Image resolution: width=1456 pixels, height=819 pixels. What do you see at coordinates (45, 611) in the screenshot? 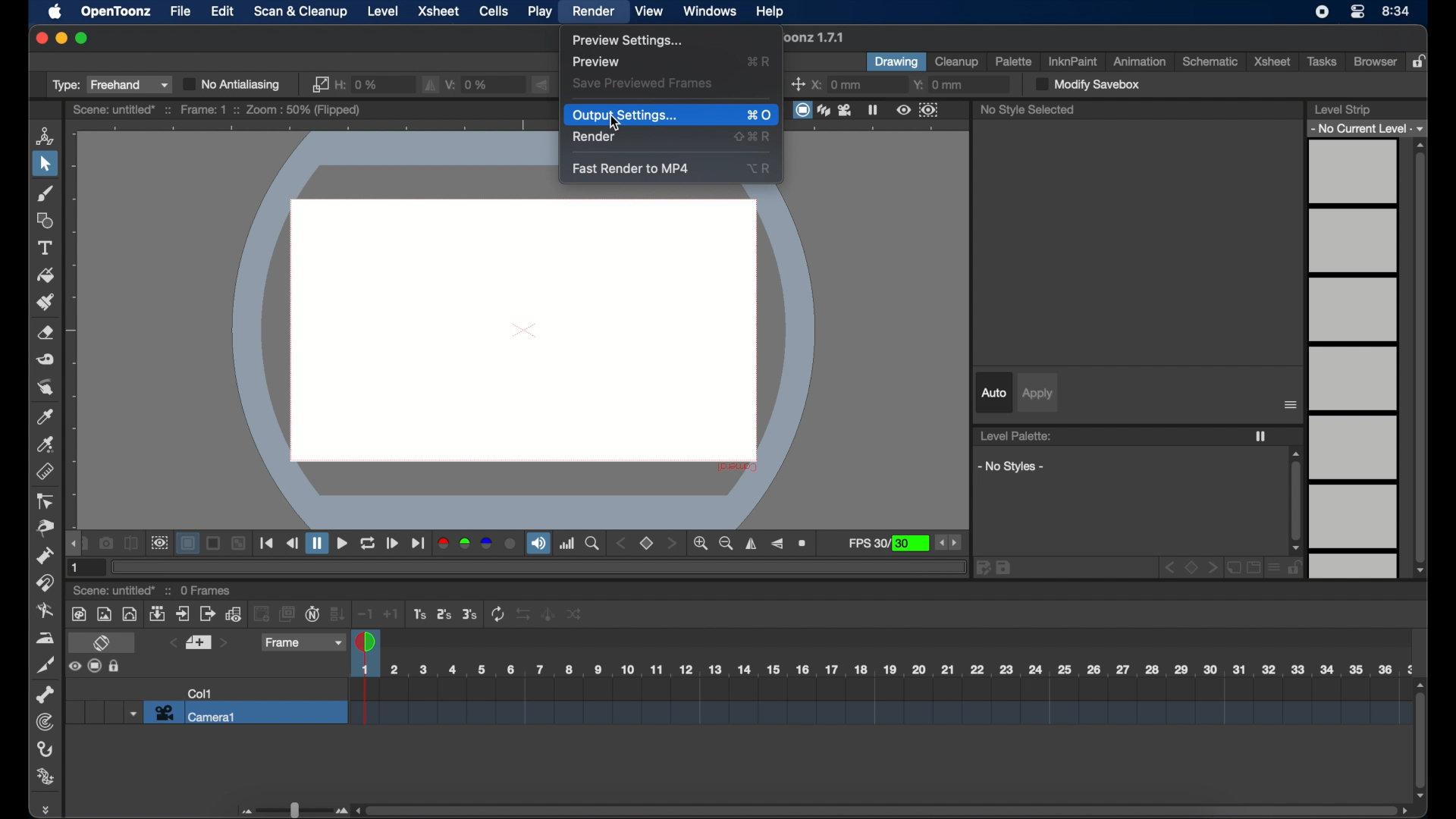
I see `blender tool` at bounding box center [45, 611].